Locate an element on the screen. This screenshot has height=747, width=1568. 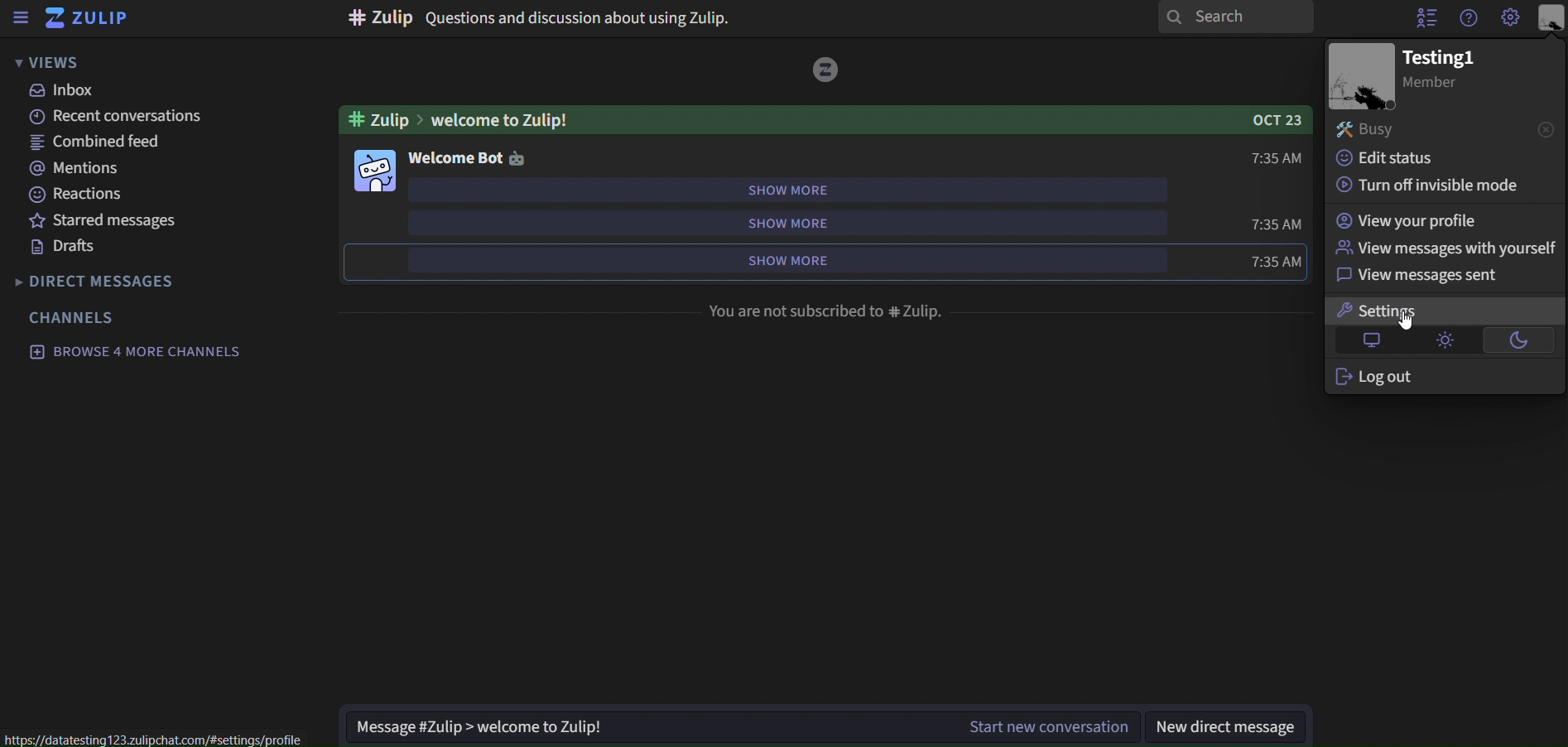
log out is located at coordinates (1439, 376).